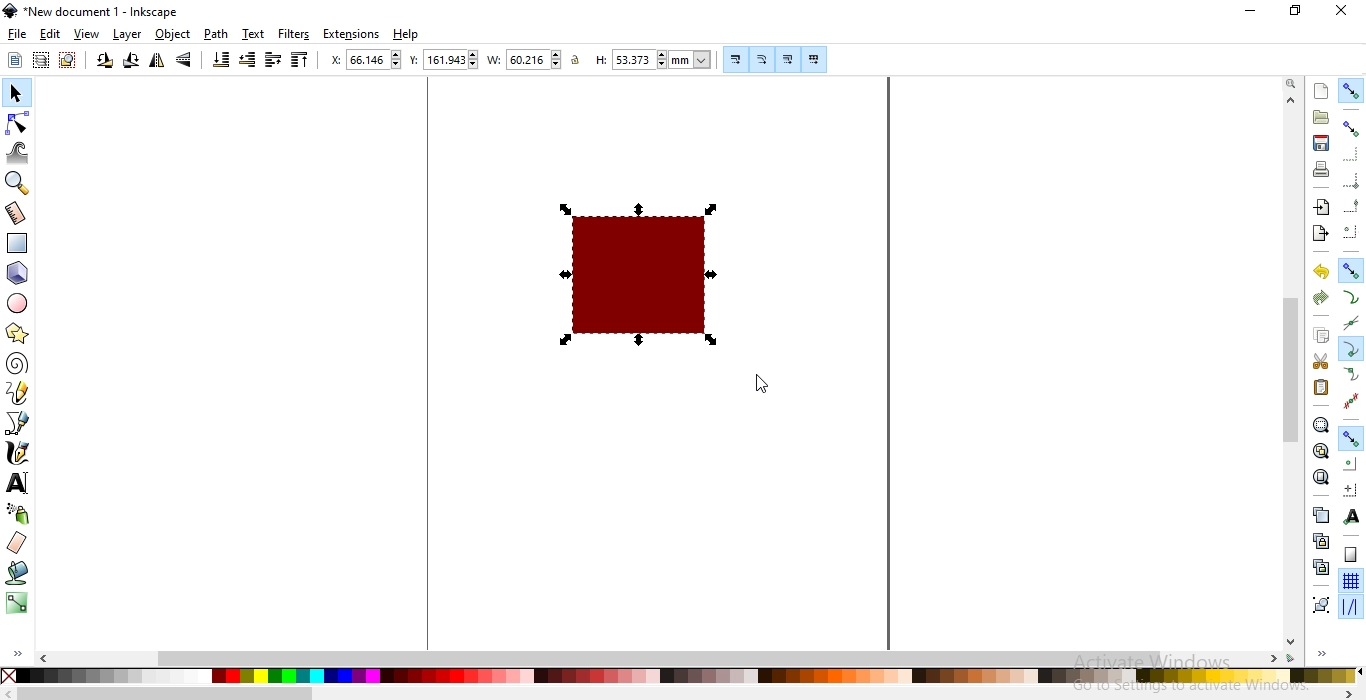  What do you see at coordinates (20, 244) in the screenshot?
I see `create rectangles and squares` at bounding box center [20, 244].